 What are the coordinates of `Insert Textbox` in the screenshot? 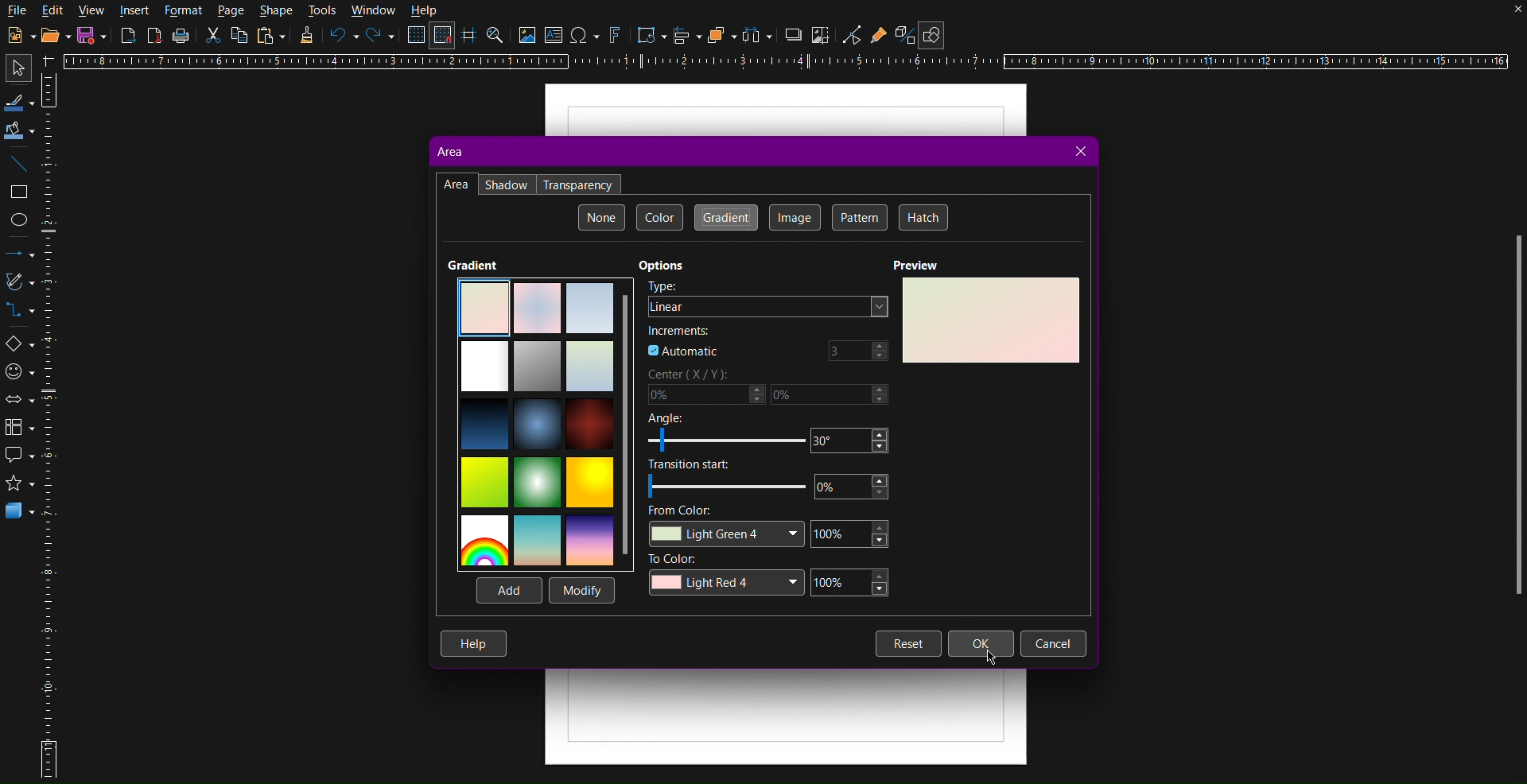 It's located at (556, 37).